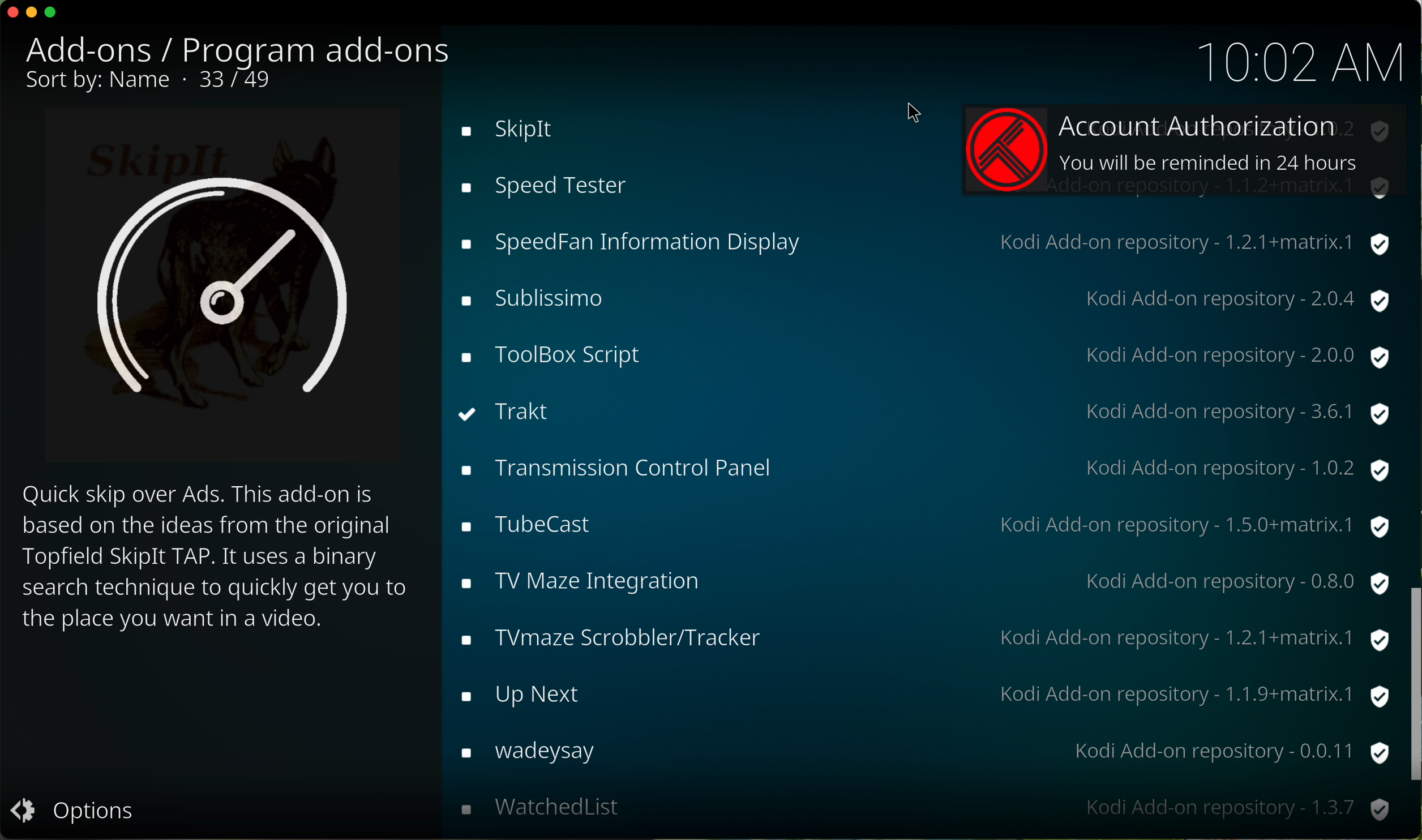  I want to click on toolbox script, so click(666, 130).